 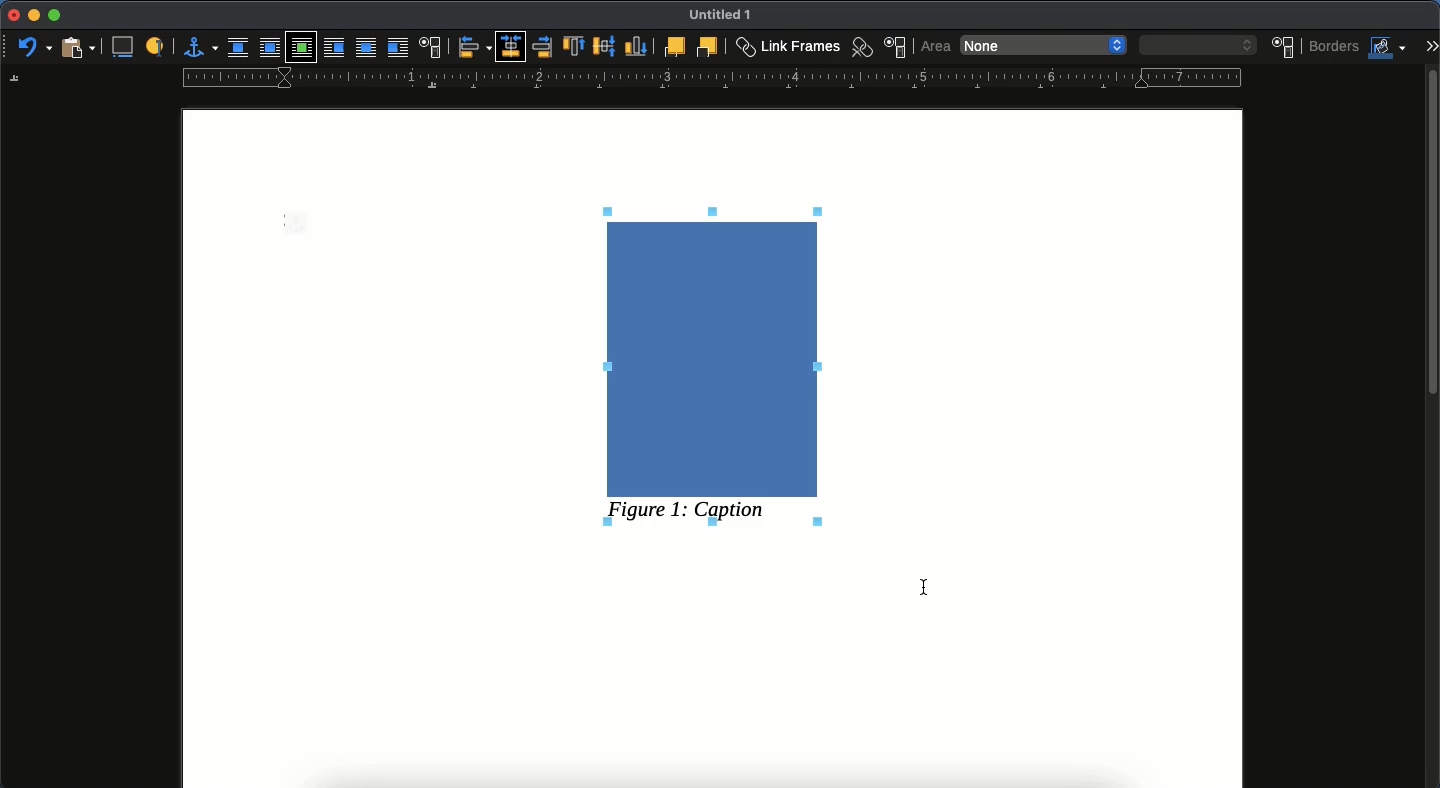 What do you see at coordinates (1283, 48) in the screenshot?
I see `position an size` at bounding box center [1283, 48].